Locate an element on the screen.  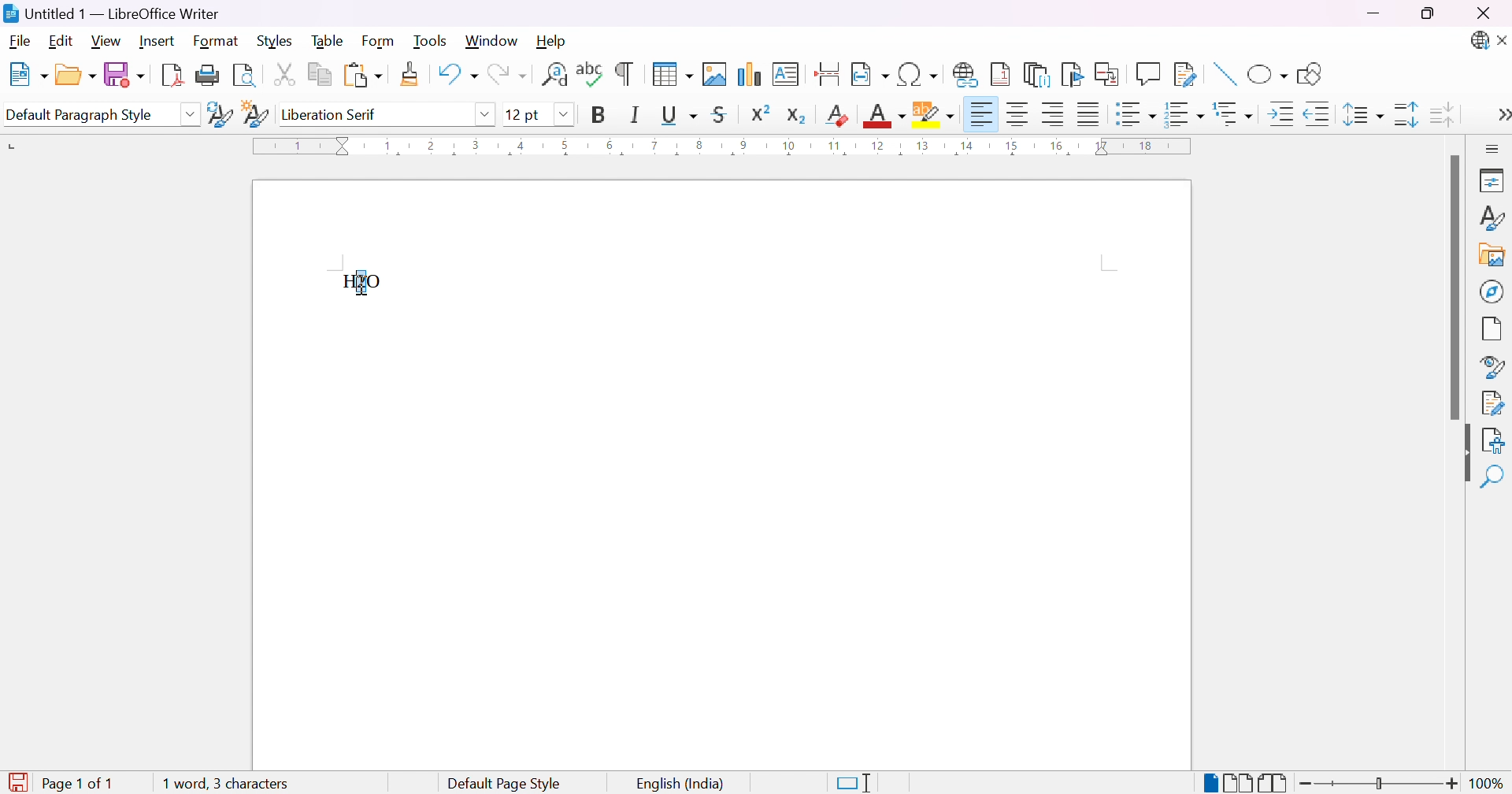
Font color is located at coordinates (887, 116).